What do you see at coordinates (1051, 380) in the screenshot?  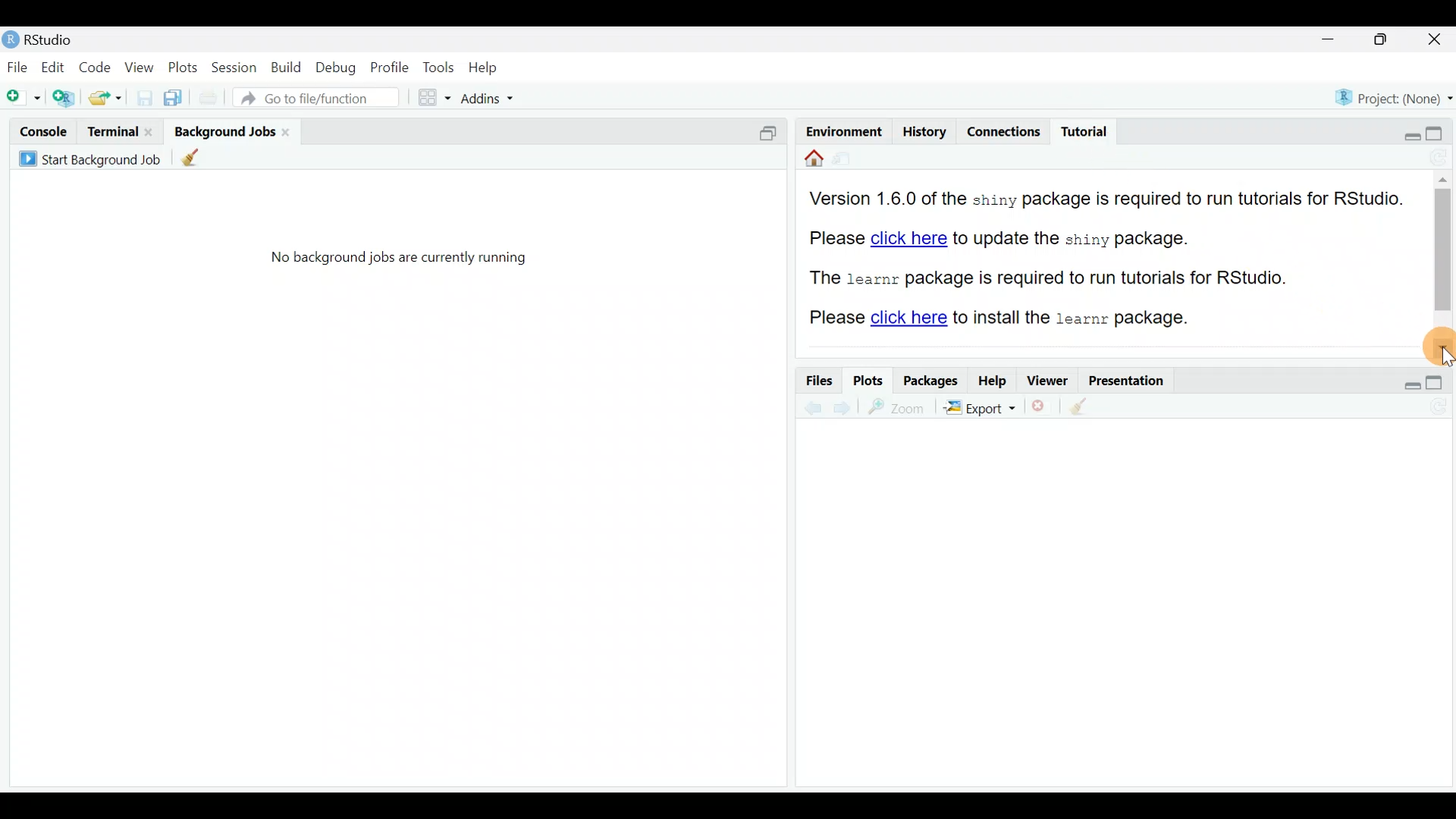 I see `Viewer` at bounding box center [1051, 380].